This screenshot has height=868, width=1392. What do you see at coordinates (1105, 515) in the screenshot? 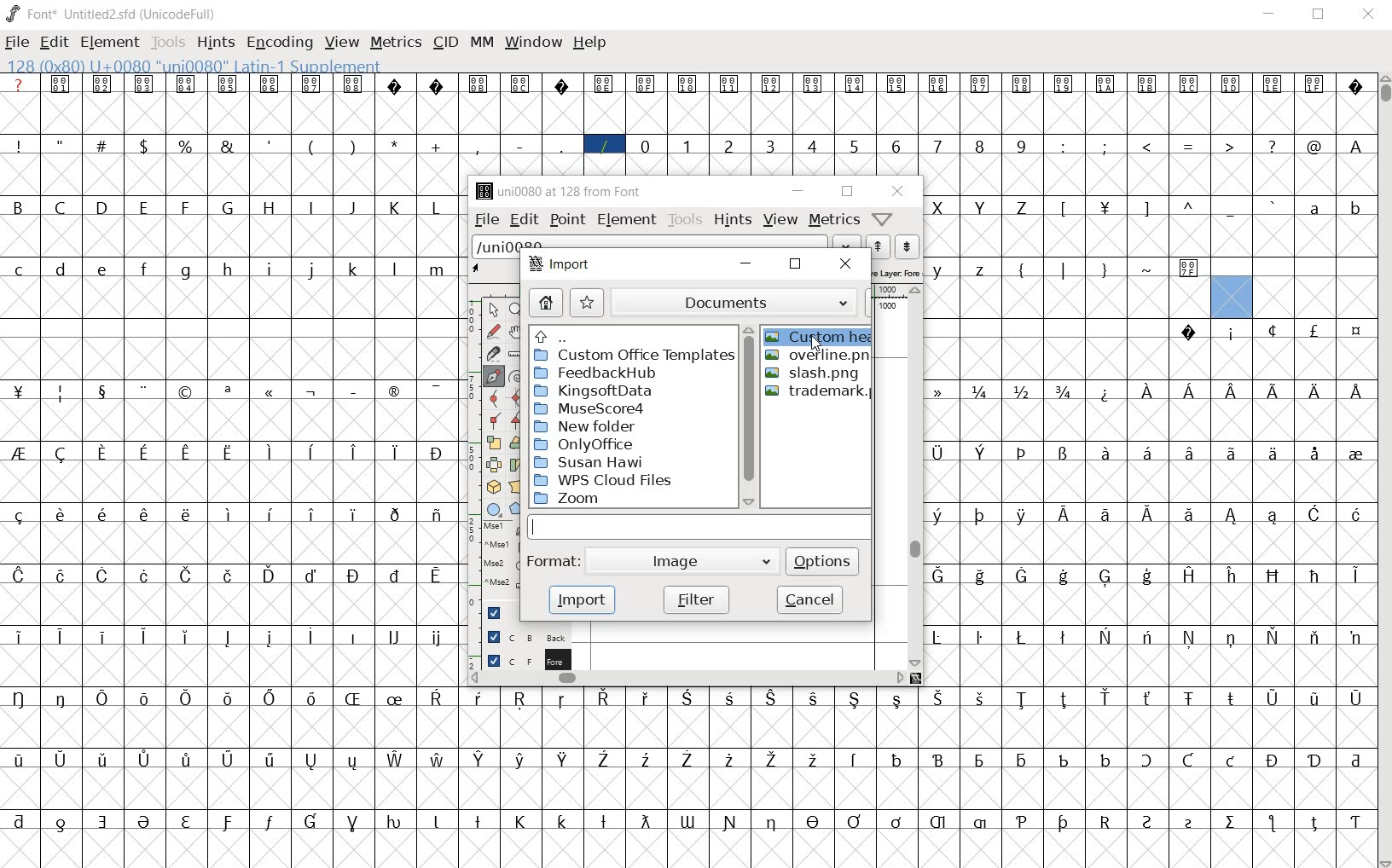
I see `glyph` at bounding box center [1105, 515].